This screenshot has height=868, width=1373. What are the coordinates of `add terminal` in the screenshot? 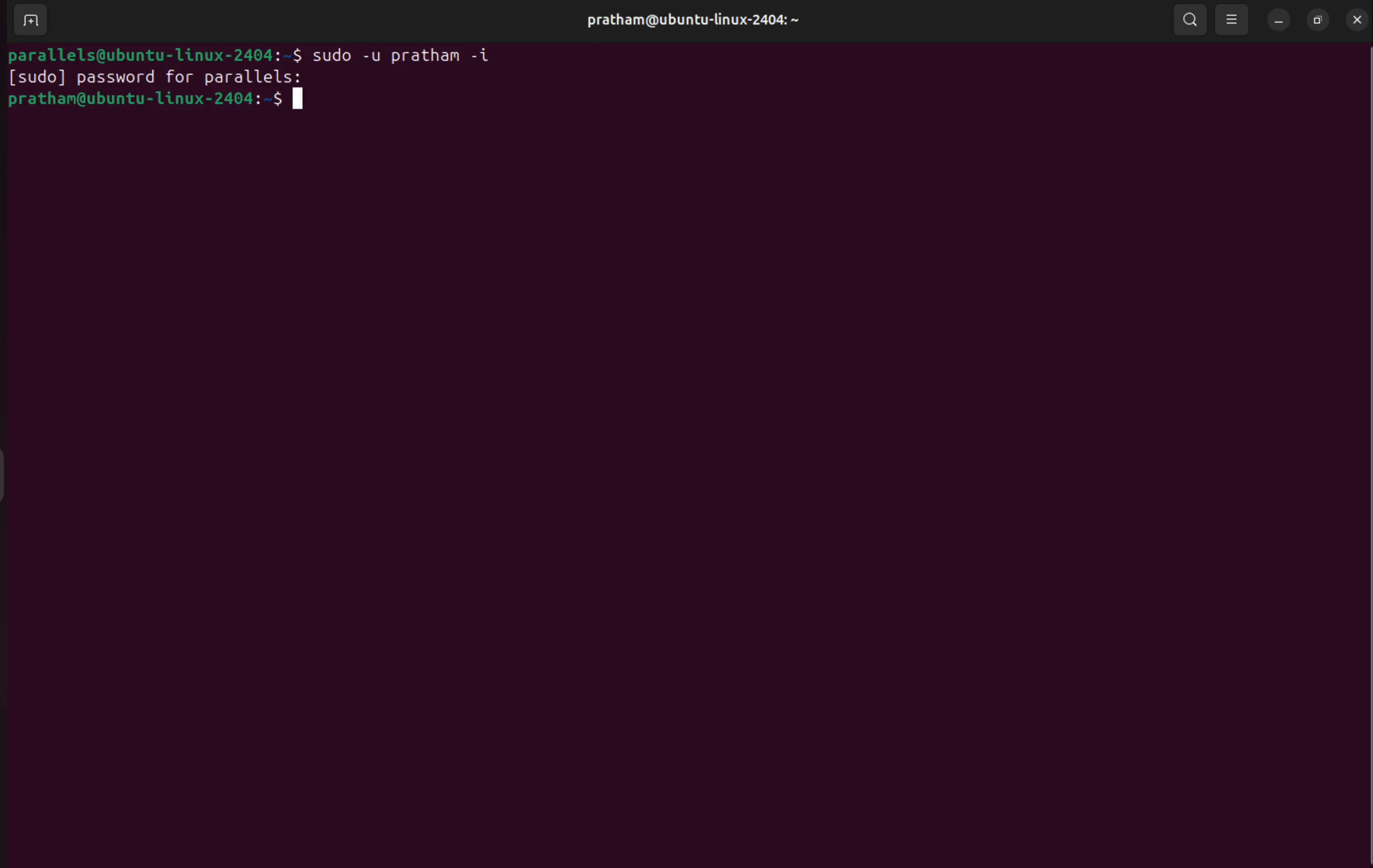 It's located at (28, 21).